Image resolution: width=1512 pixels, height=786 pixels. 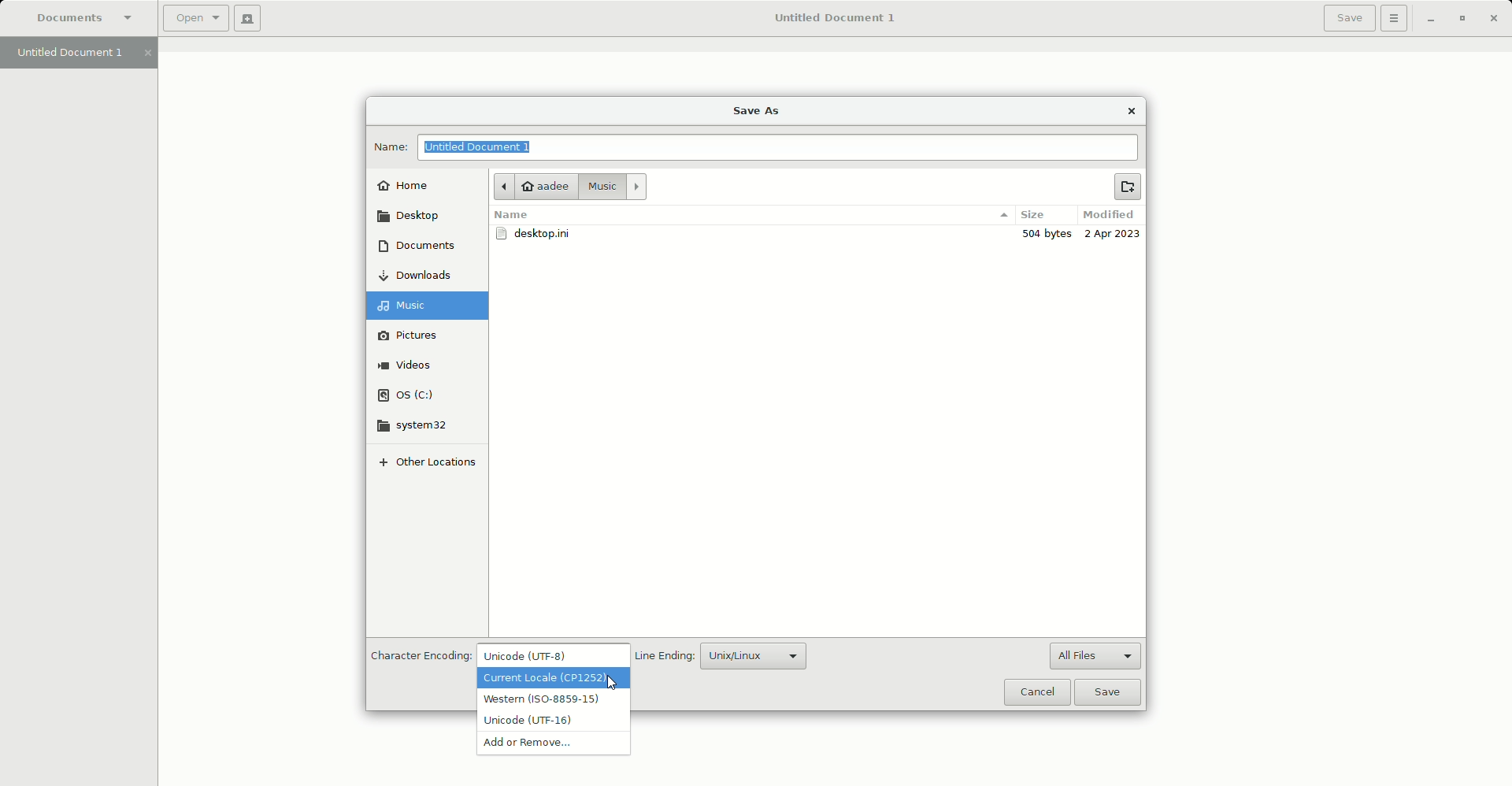 I want to click on File name, so click(x=786, y=146).